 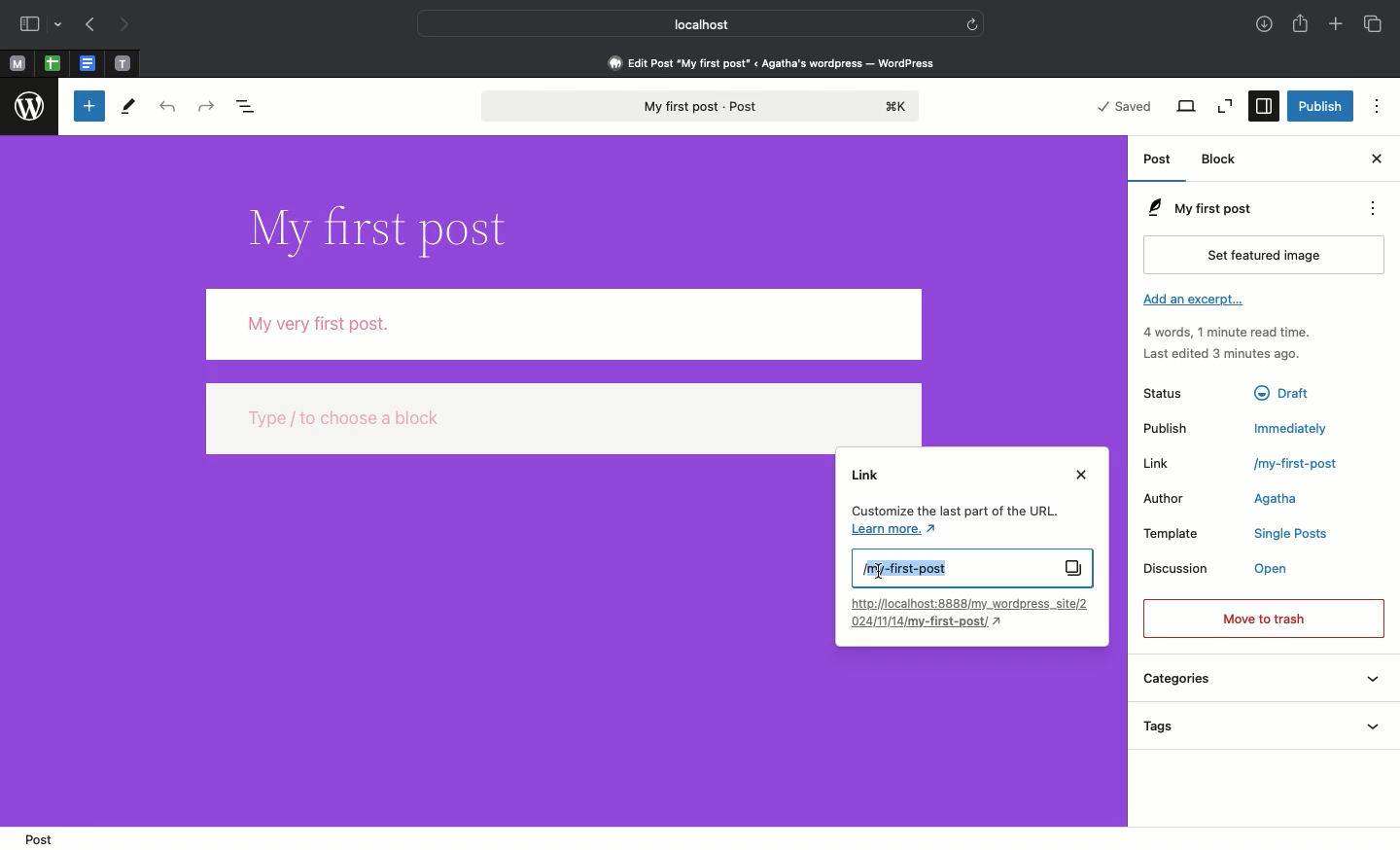 What do you see at coordinates (88, 25) in the screenshot?
I see `Previous page` at bounding box center [88, 25].